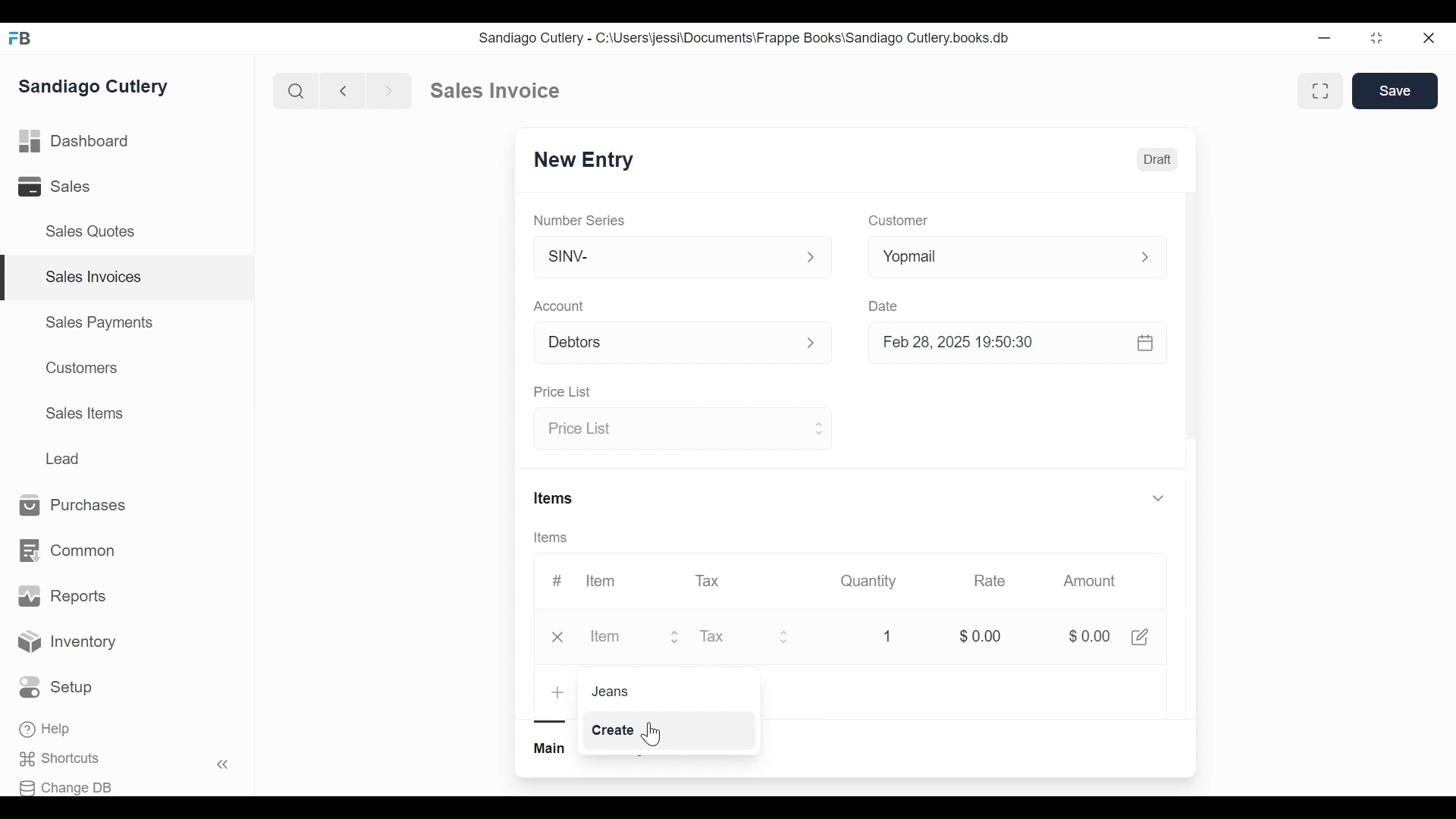 This screenshot has height=819, width=1456. I want to click on scrollbar, so click(1191, 321).